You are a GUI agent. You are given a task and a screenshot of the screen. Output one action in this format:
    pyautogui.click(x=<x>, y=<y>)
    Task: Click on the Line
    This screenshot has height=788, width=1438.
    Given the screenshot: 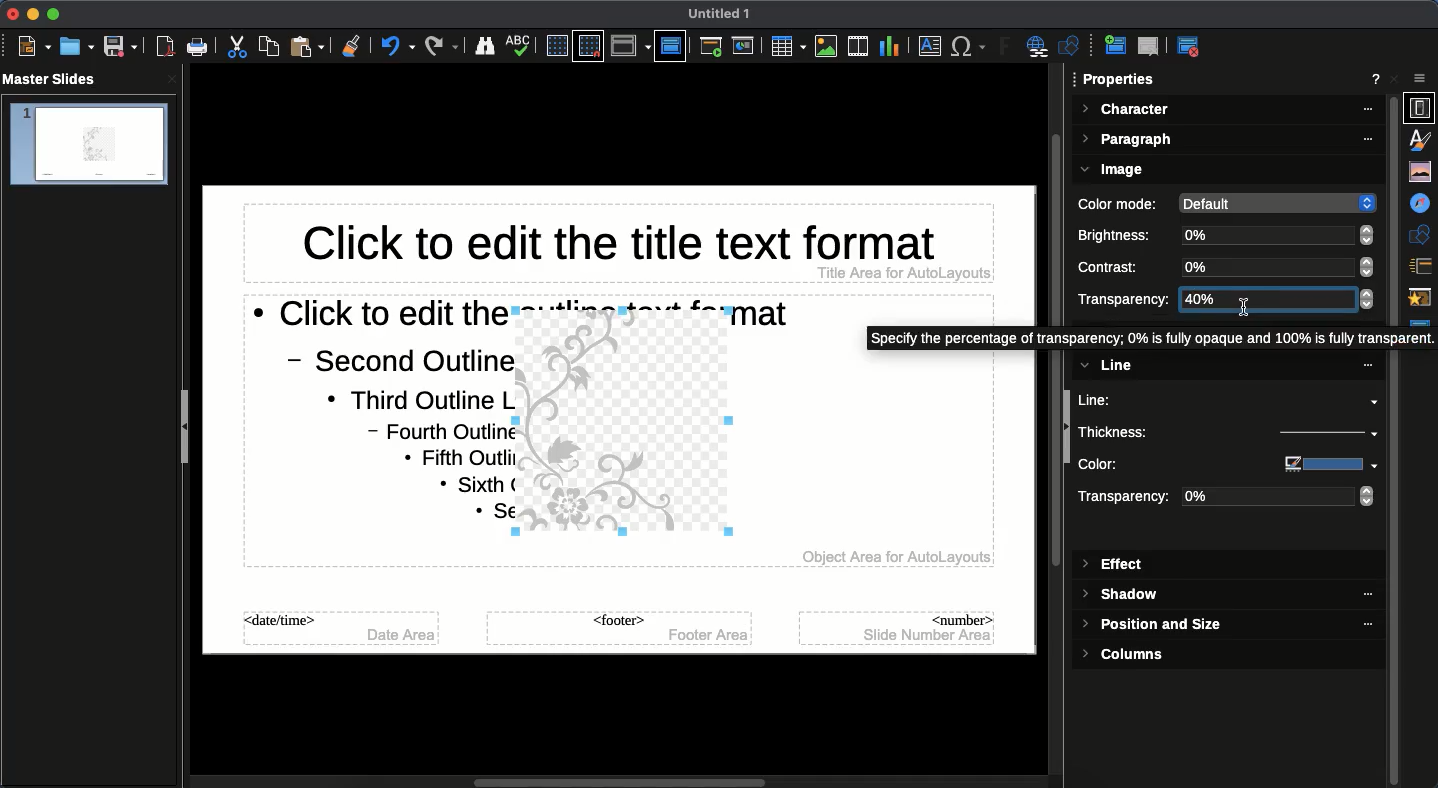 What is the action you would take?
    pyautogui.click(x=1229, y=400)
    